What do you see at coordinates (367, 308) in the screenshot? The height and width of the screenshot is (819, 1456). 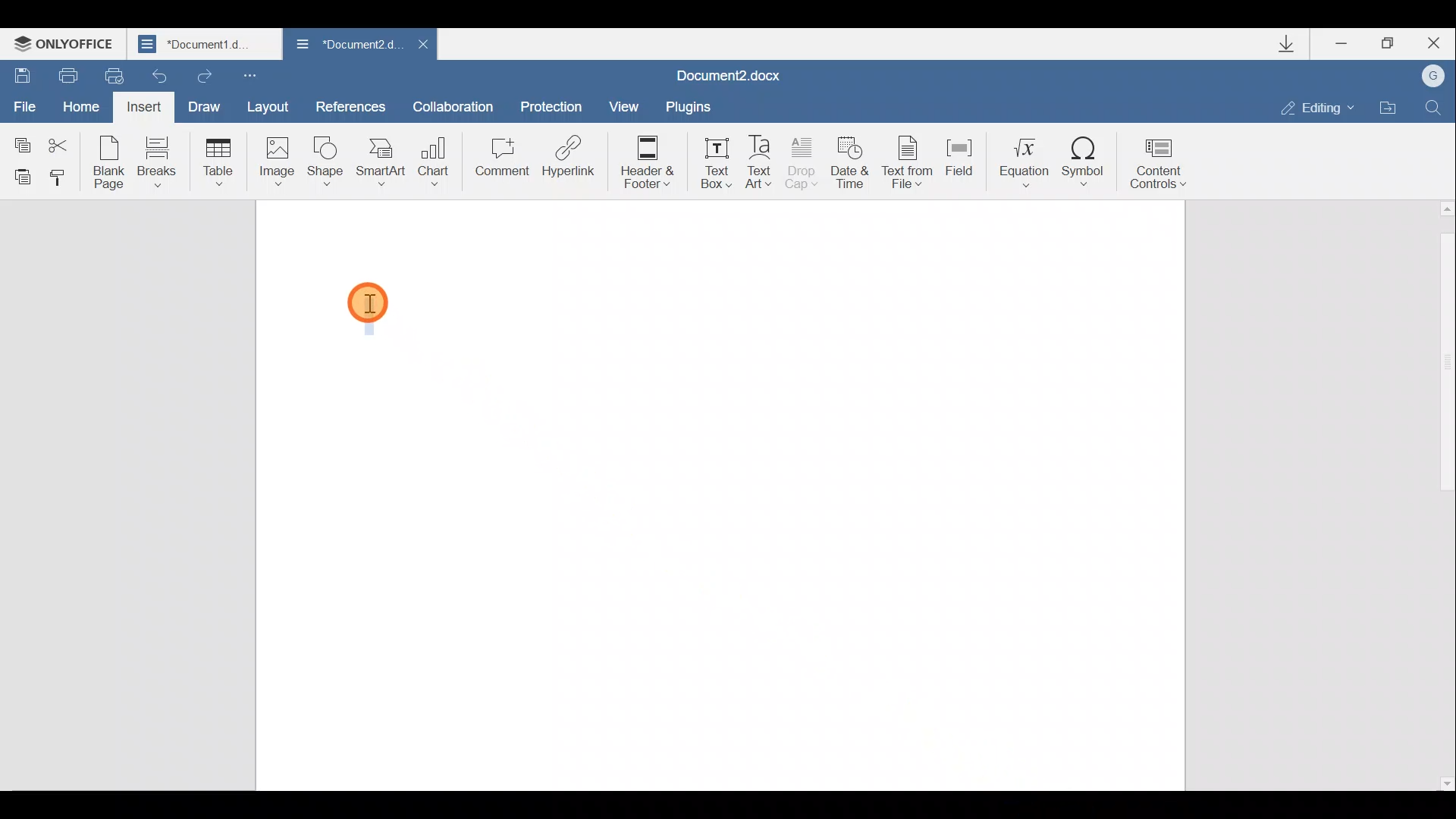 I see `Cursor` at bounding box center [367, 308].